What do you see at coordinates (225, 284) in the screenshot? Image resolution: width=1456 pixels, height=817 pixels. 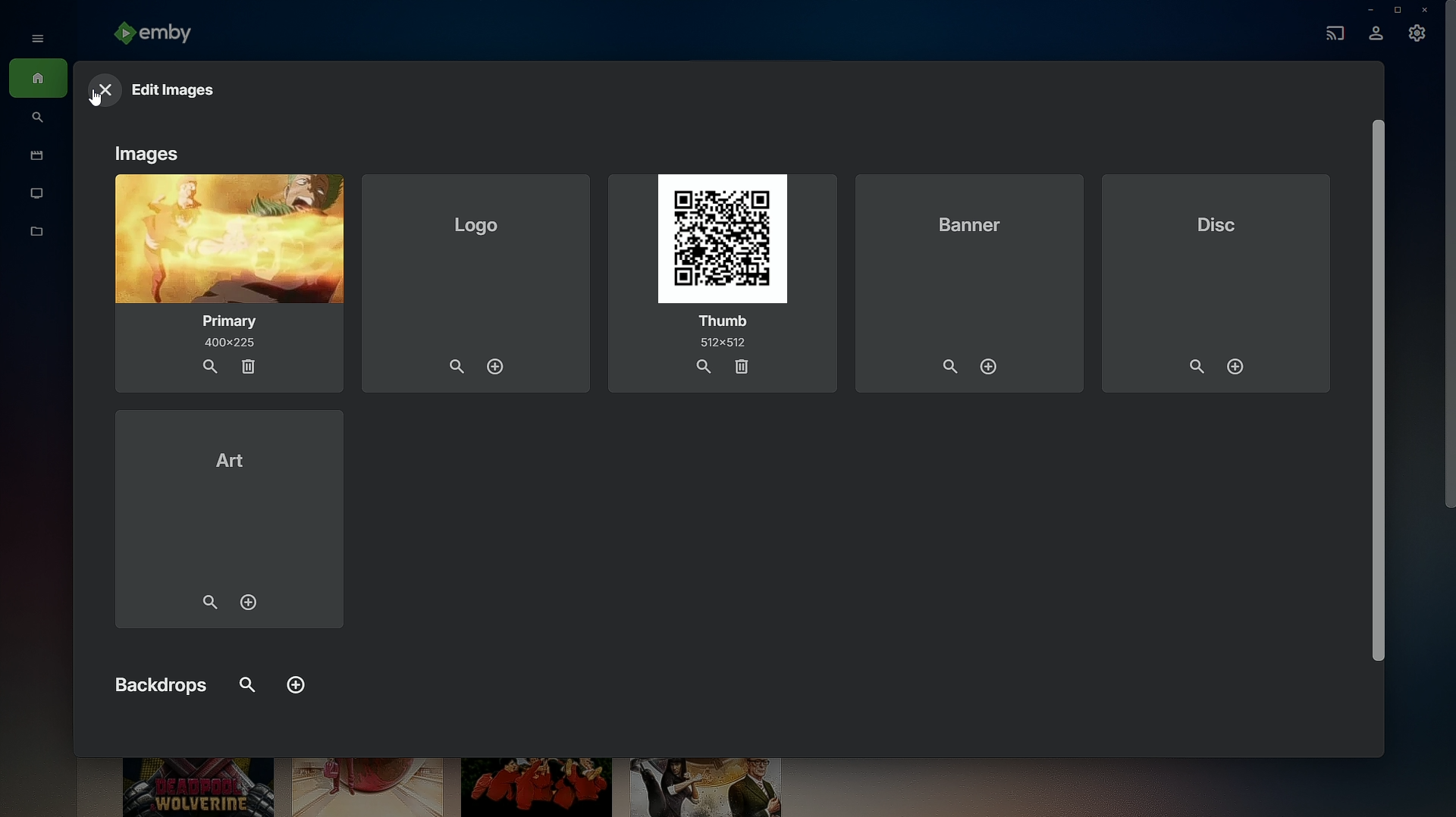 I see `Primary` at bounding box center [225, 284].